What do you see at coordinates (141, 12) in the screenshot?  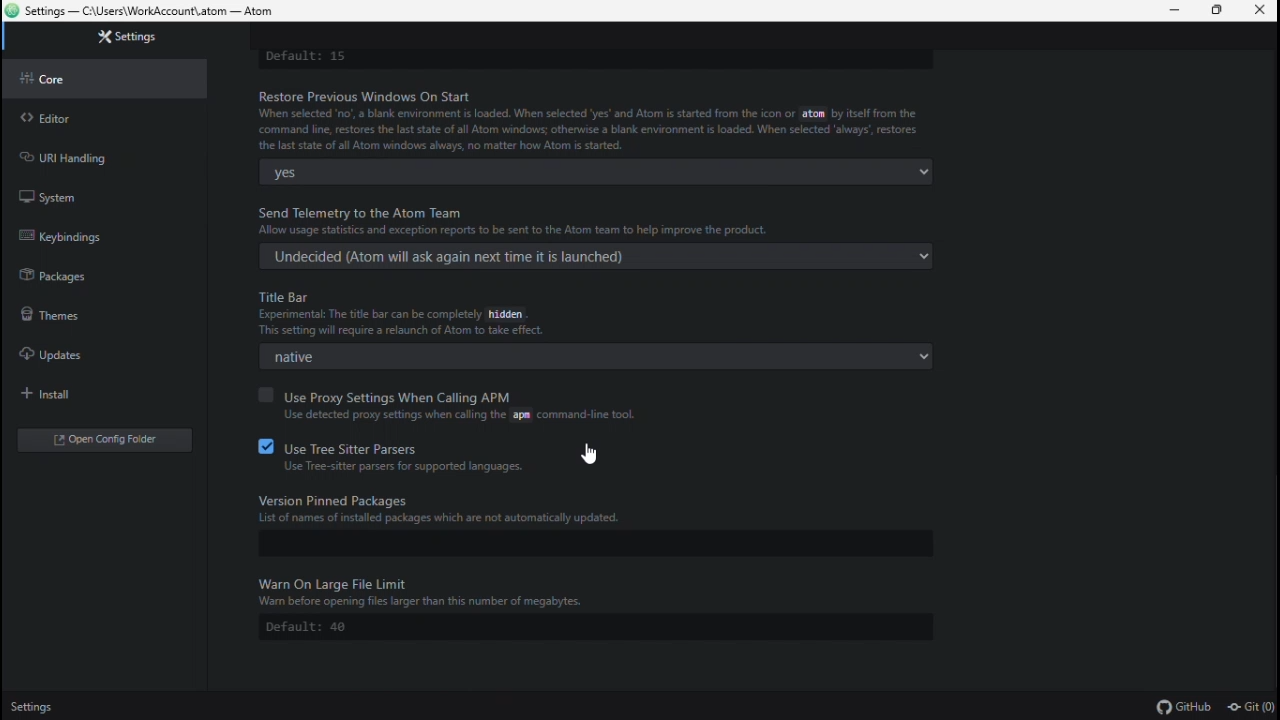 I see `File name and file path` at bounding box center [141, 12].